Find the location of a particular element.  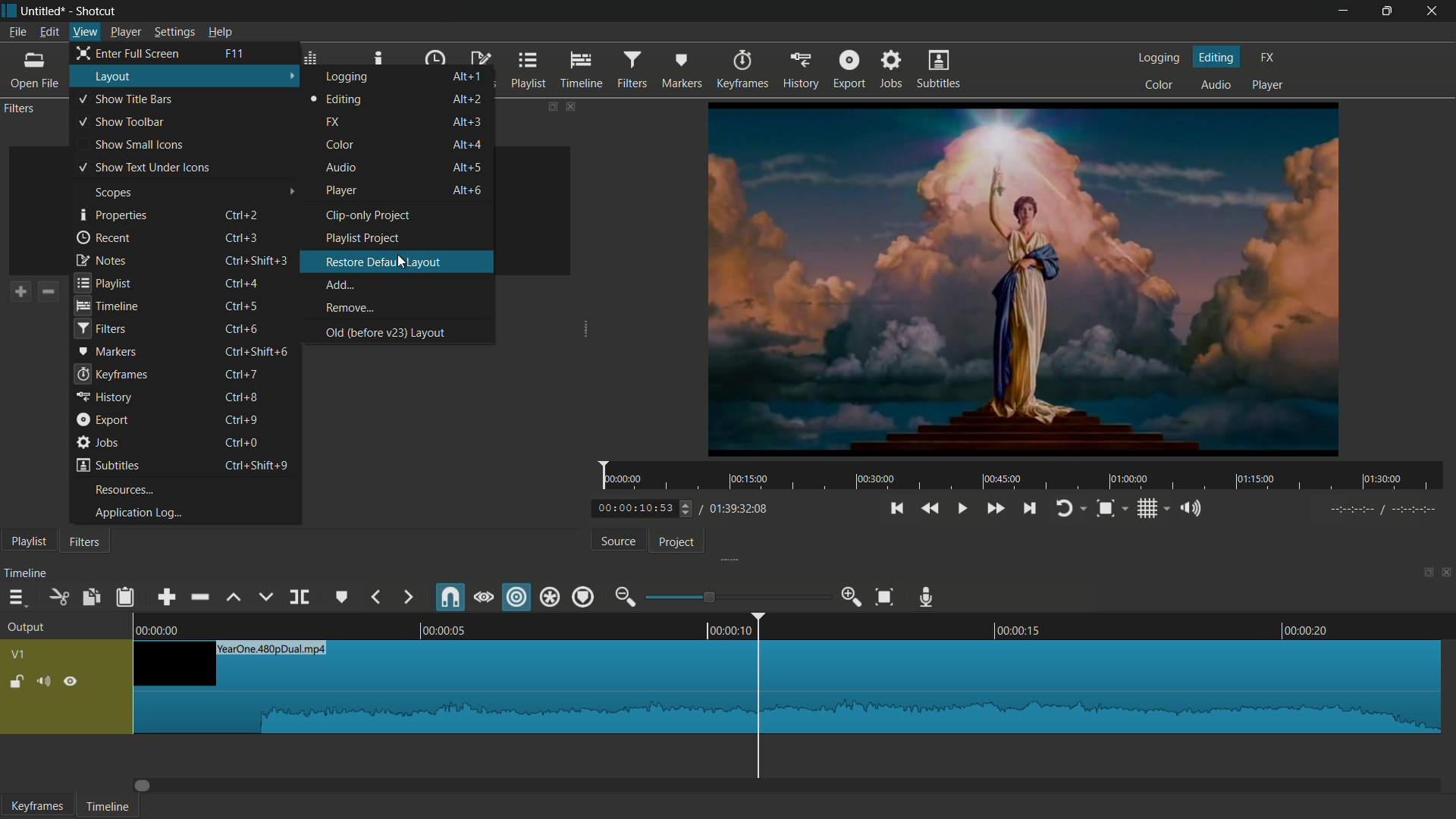

scopes is located at coordinates (113, 193).